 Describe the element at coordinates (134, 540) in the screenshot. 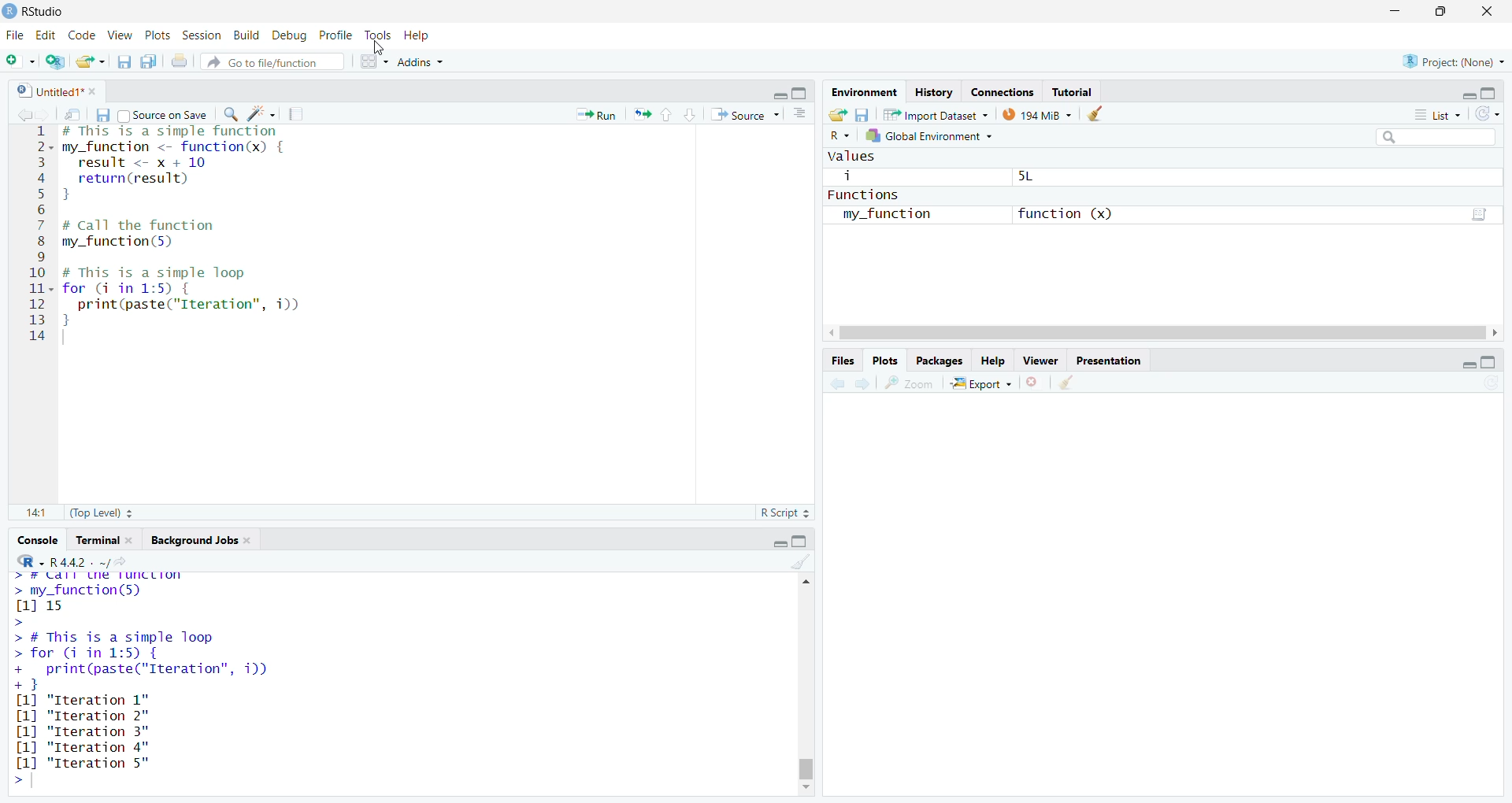

I see `close ` at that location.